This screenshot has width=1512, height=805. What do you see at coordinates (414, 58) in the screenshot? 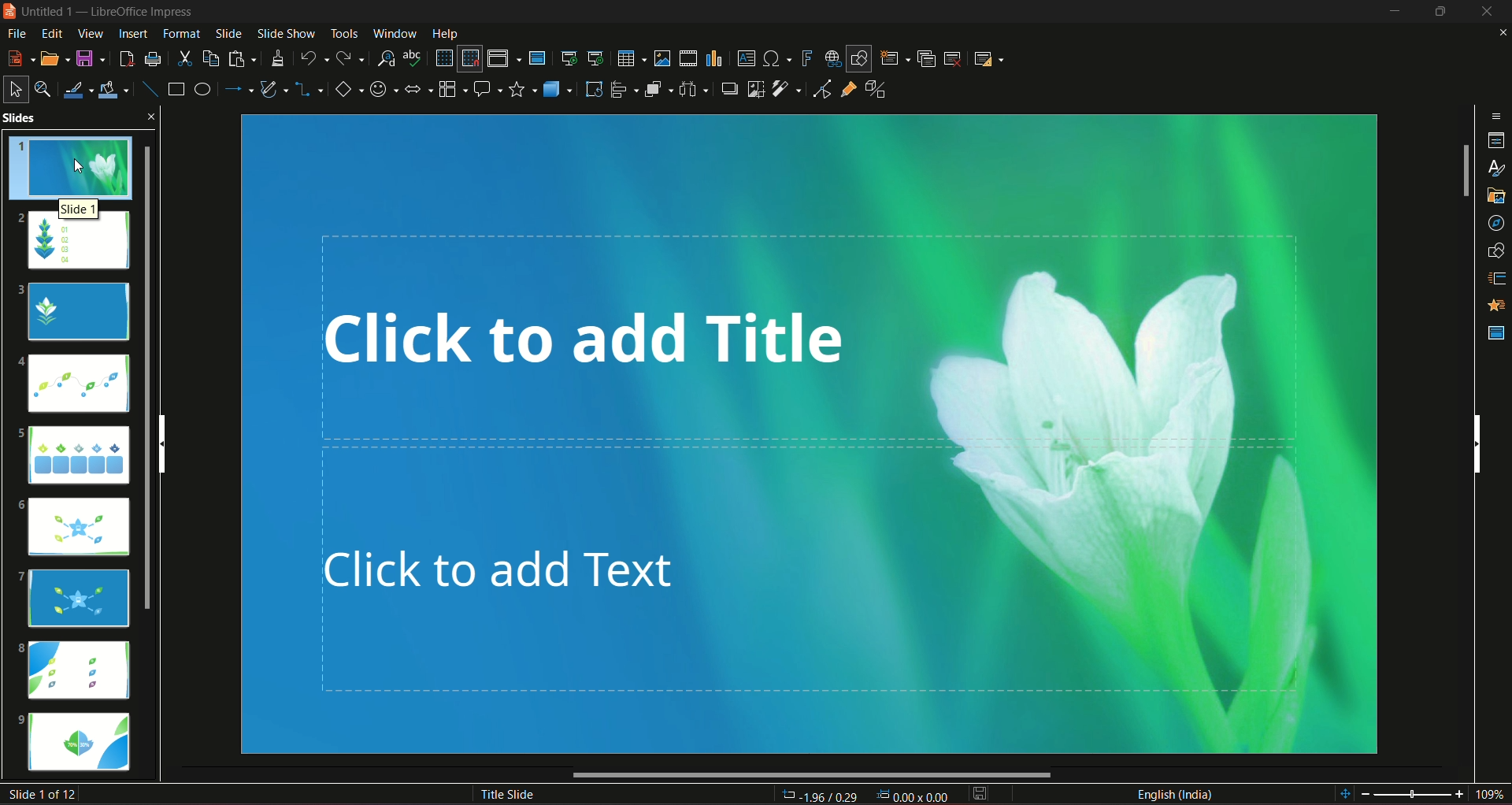
I see `spelling` at bounding box center [414, 58].